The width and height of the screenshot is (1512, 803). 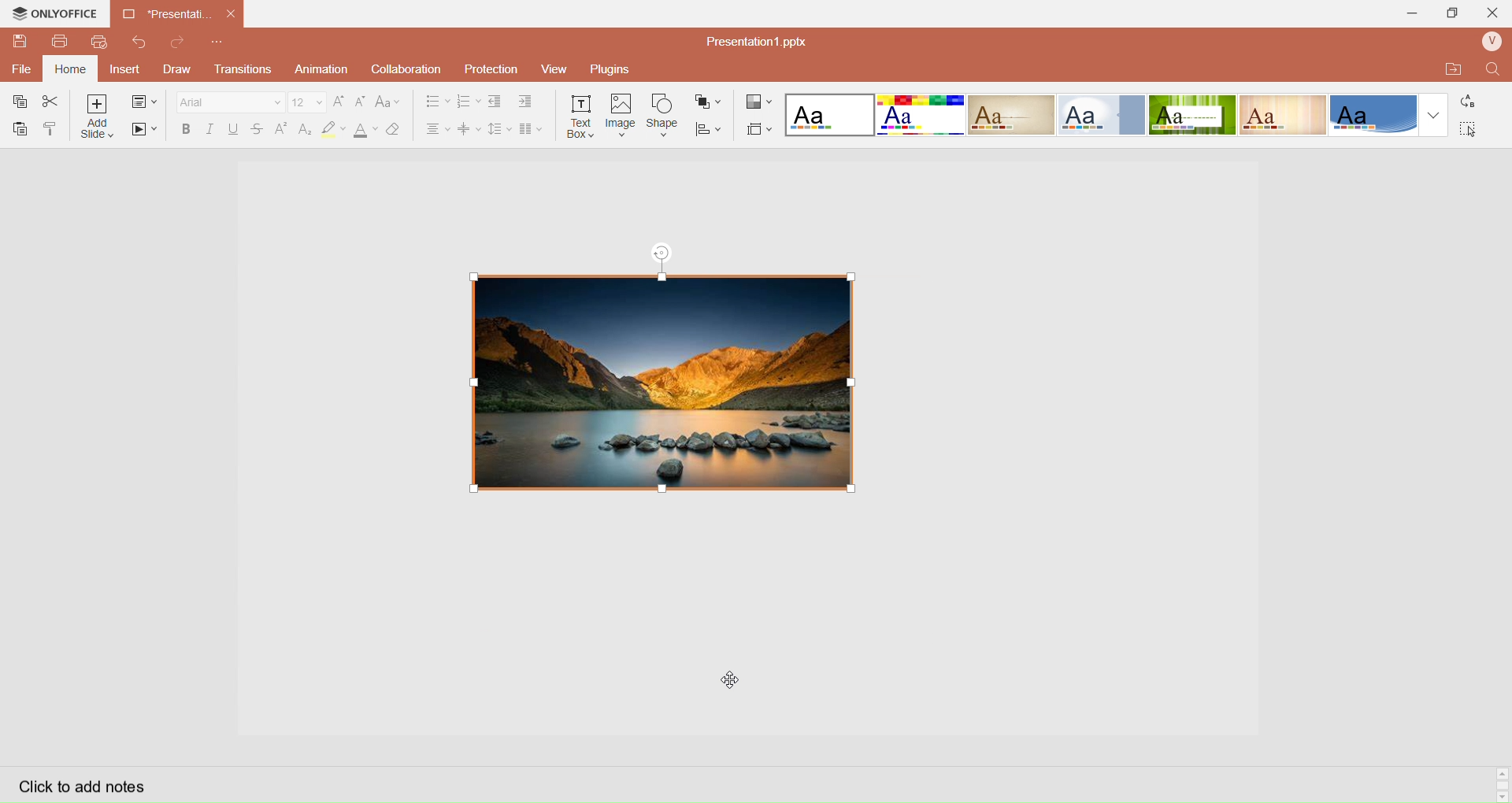 What do you see at coordinates (669, 381) in the screenshot?
I see `re sized image` at bounding box center [669, 381].